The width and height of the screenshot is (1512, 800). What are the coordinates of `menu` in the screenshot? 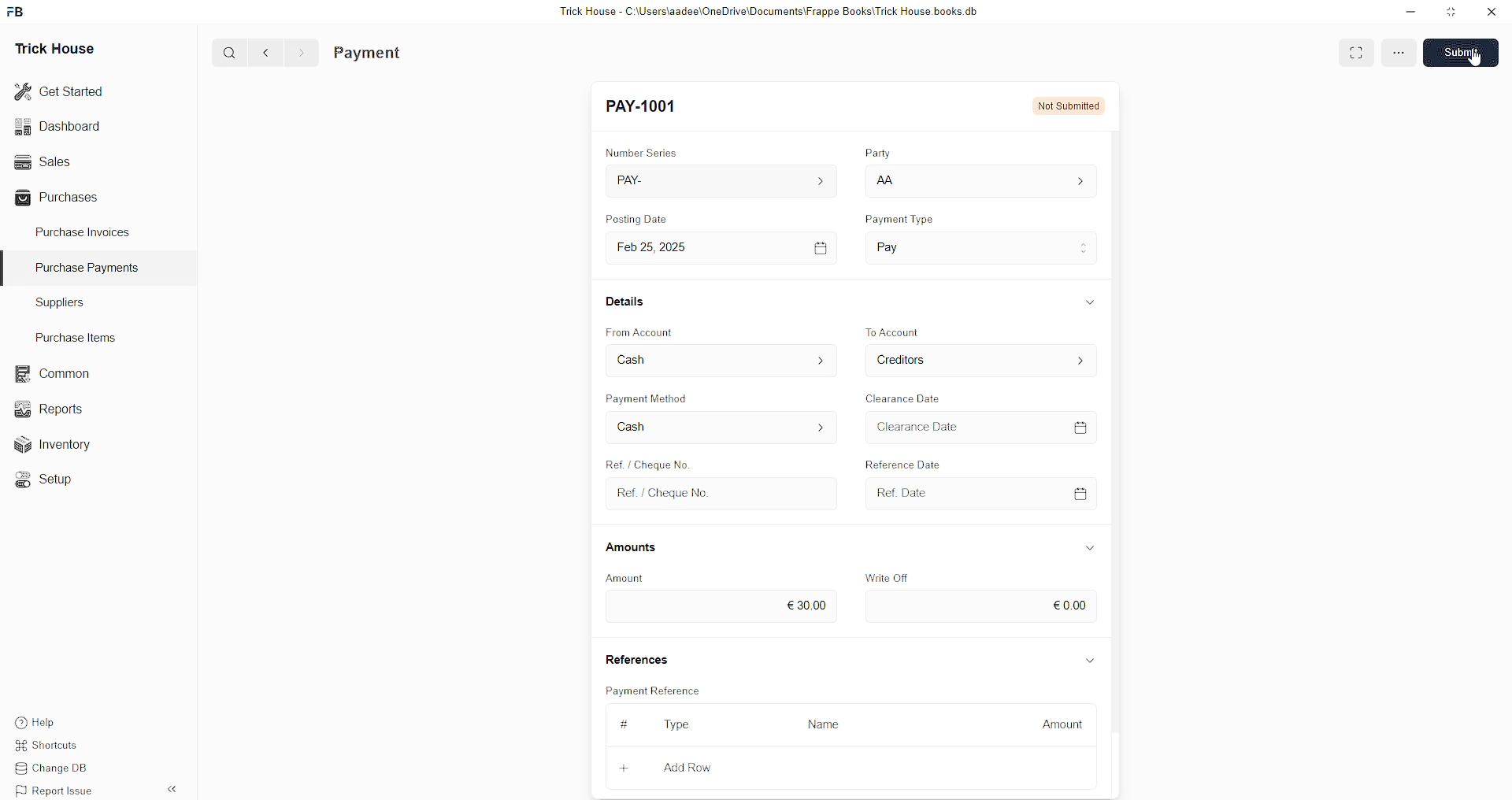 It's located at (1399, 55).